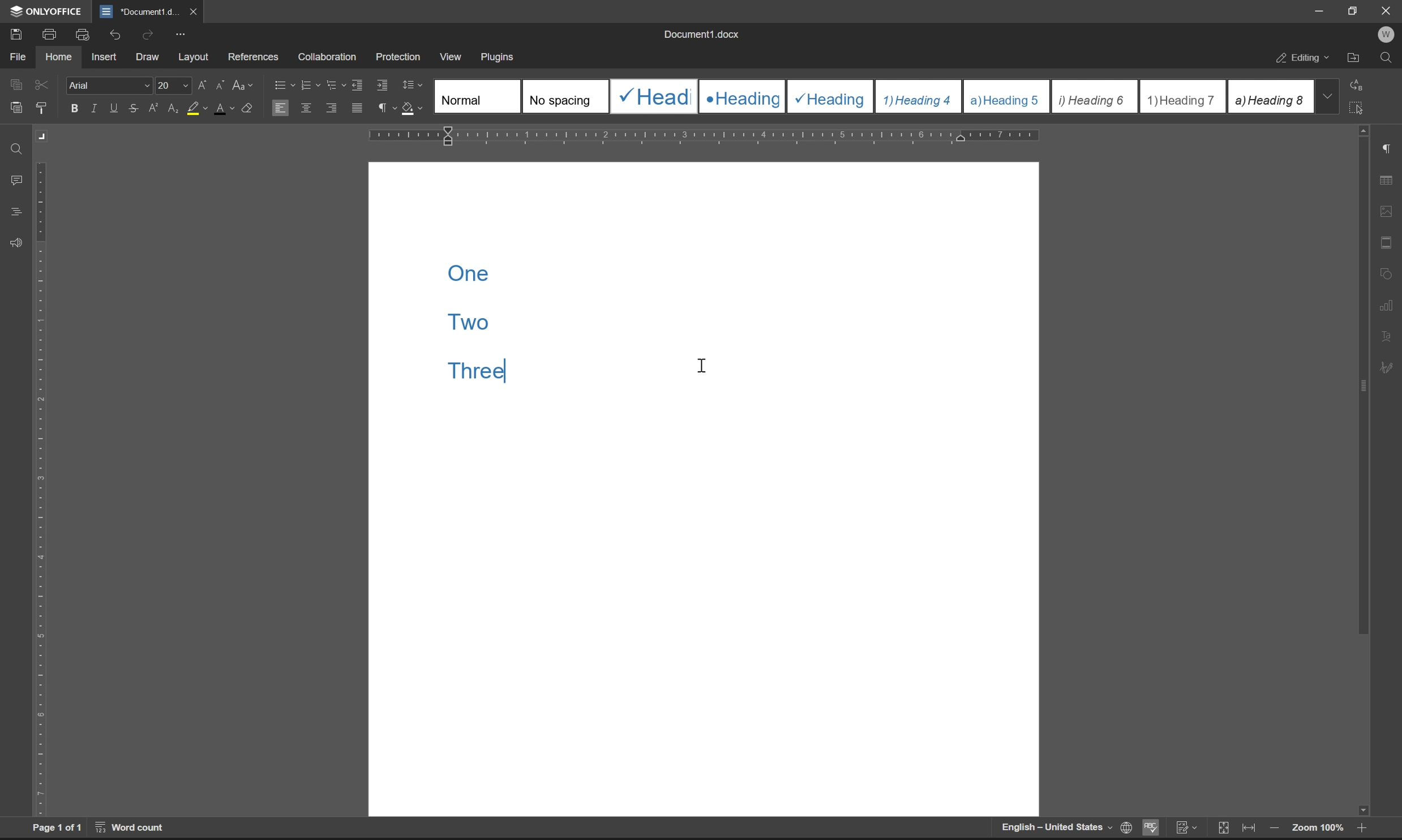 The width and height of the screenshot is (1402, 840). What do you see at coordinates (478, 96) in the screenshot?
I see `Normal` at bounding box center [478, 96].